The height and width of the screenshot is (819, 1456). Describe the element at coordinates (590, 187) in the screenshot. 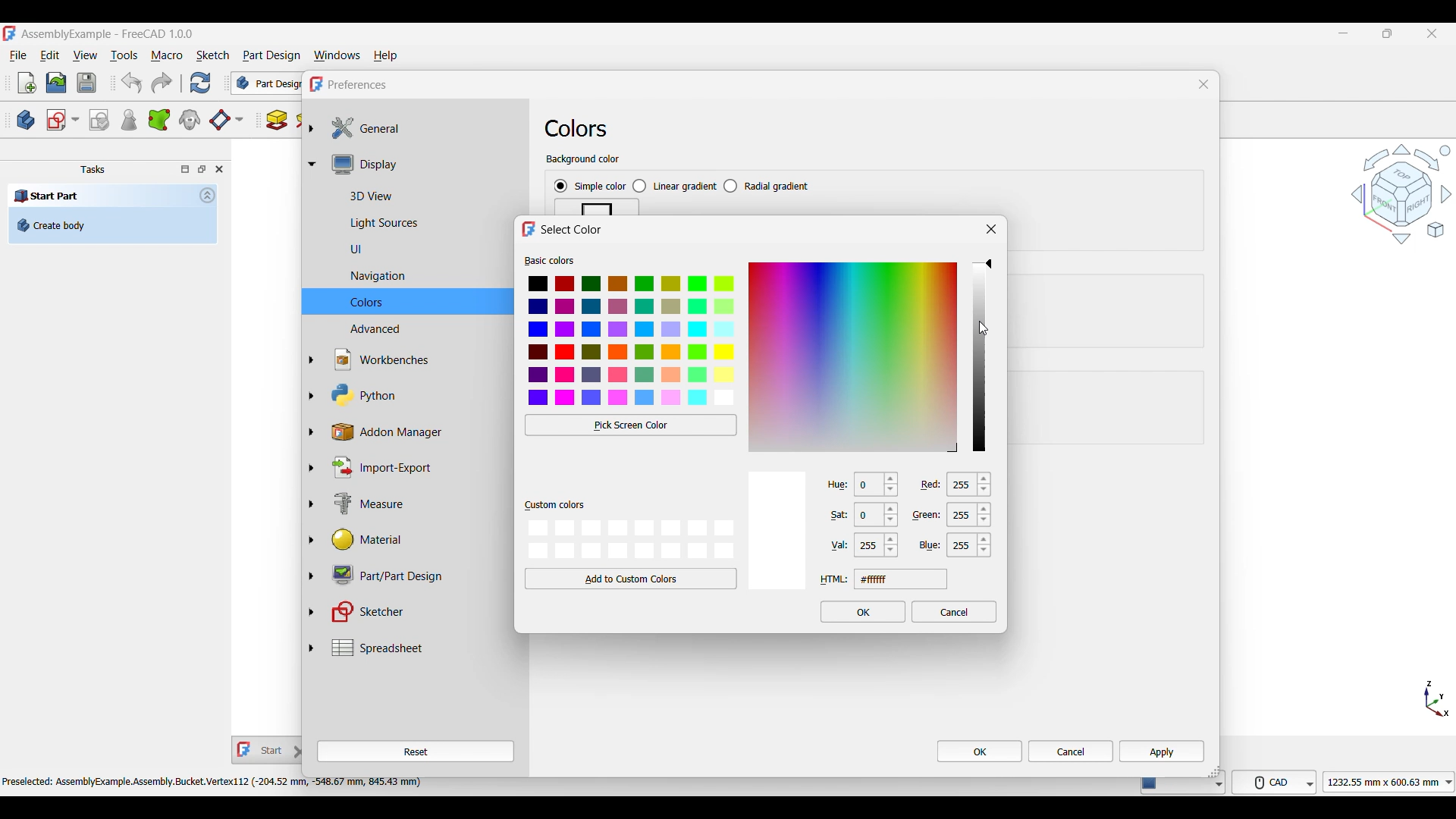

I see `Simple color gradient` at that location.